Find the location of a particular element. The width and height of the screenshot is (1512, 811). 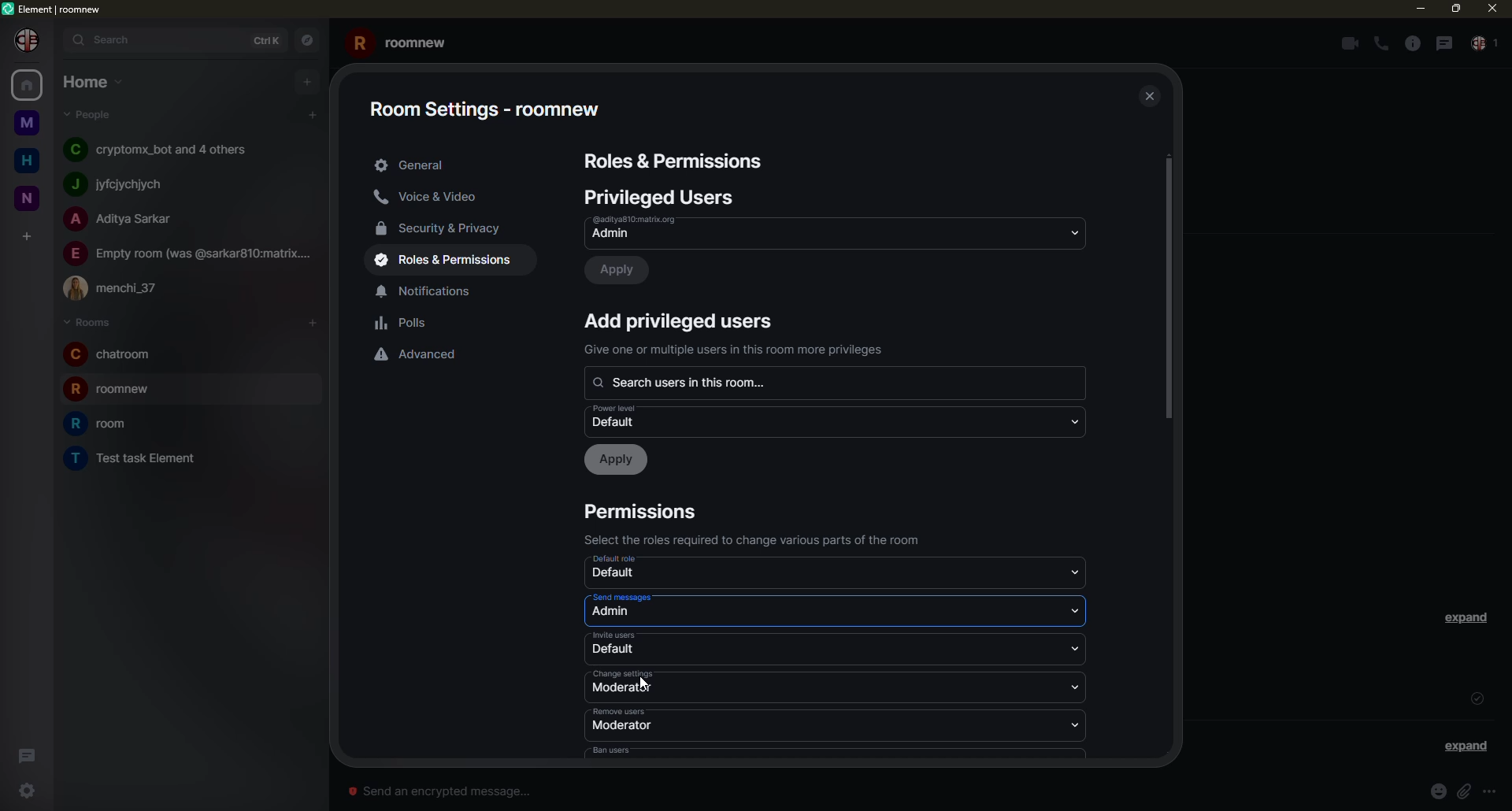

video is located at coordinates (1347, 43).